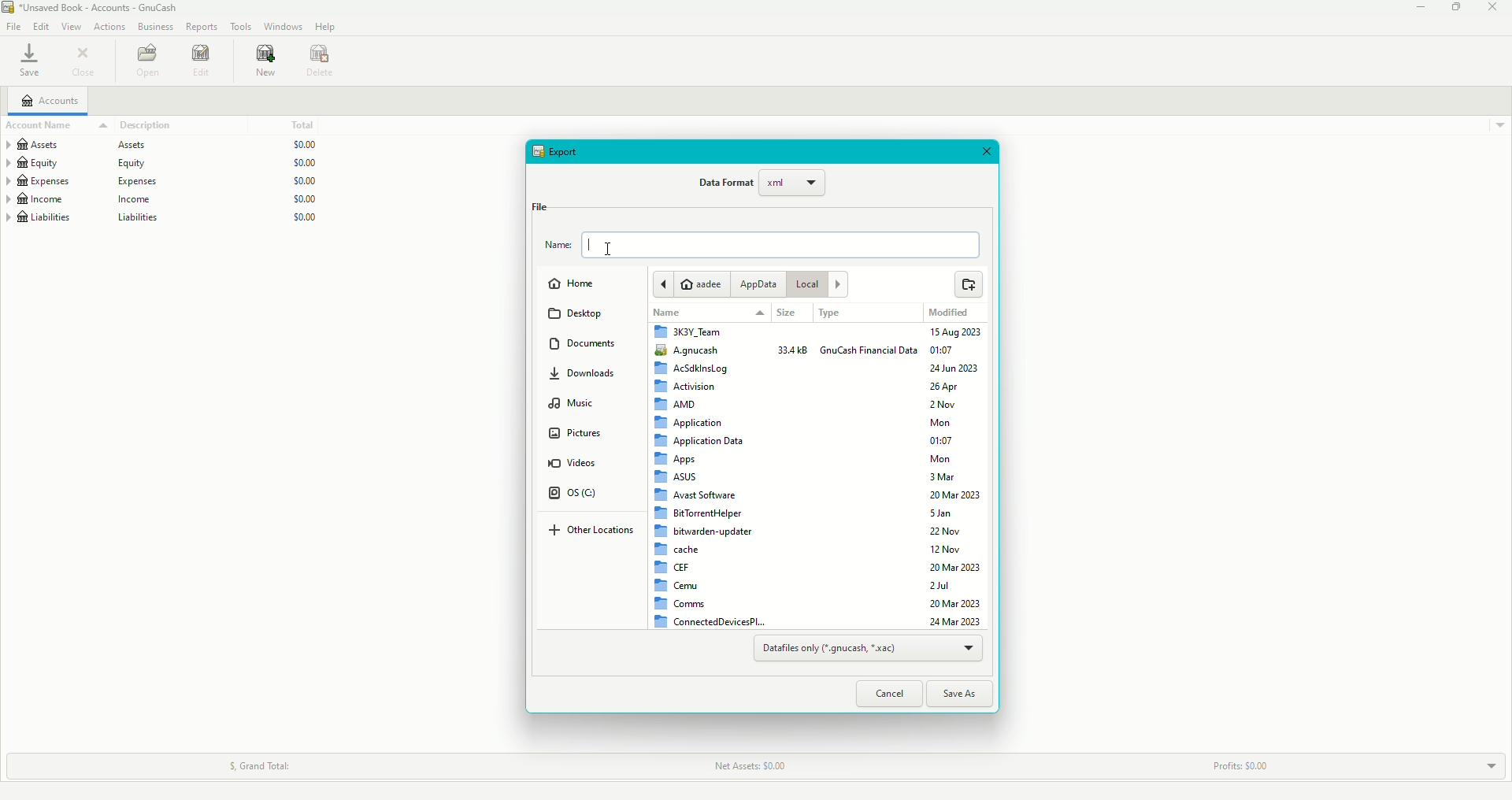 Image resolution: width=1512 pixels, height=800 pixels. What do you see at coordinates (202, 28) in the screenshot?
I see `Reports` at bounding box center [202, 28].